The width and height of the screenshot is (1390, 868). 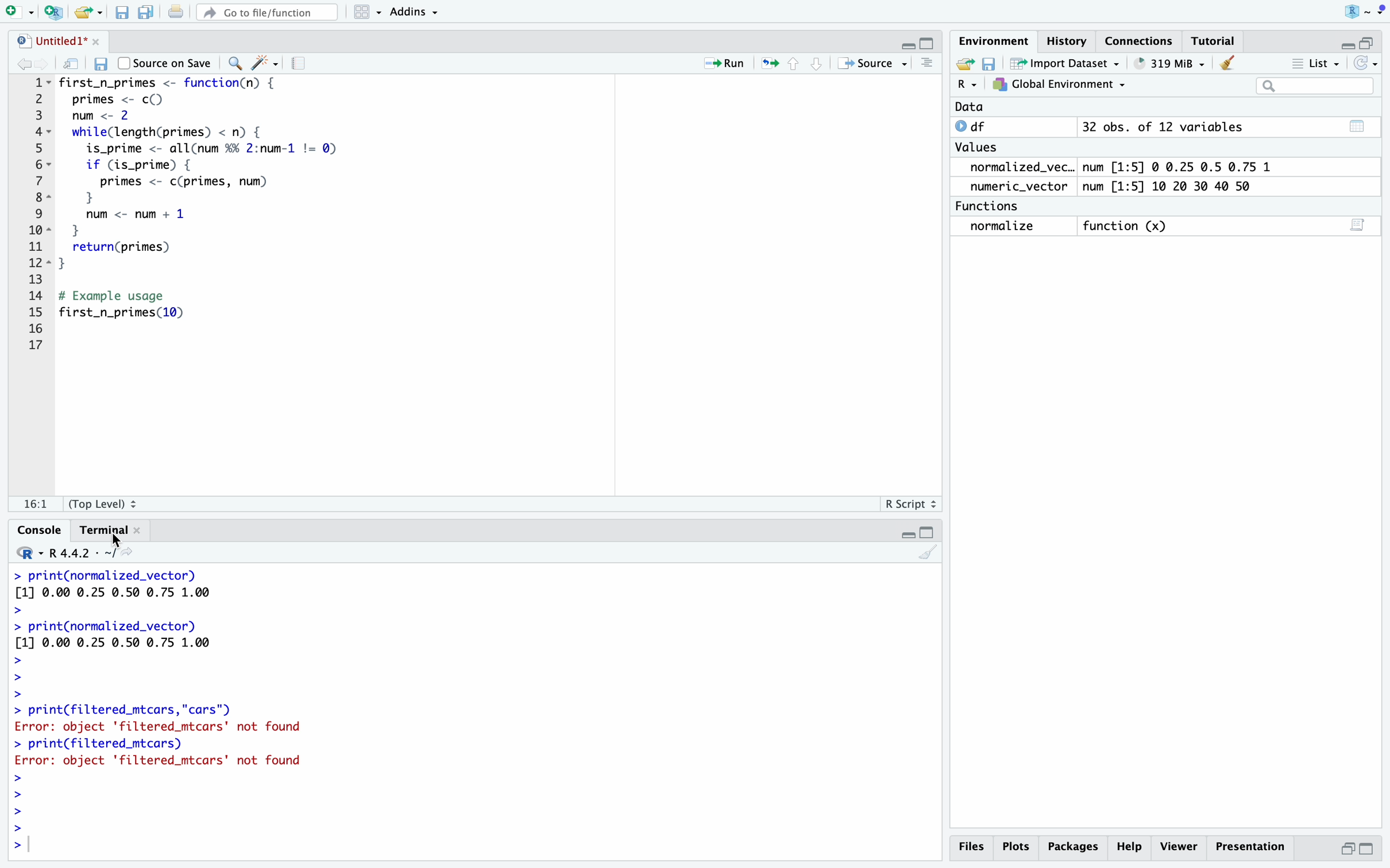 What do you see at coordinates (727, 63) in the screenshot?
I see `= Run` at bounding box center [727, 63].